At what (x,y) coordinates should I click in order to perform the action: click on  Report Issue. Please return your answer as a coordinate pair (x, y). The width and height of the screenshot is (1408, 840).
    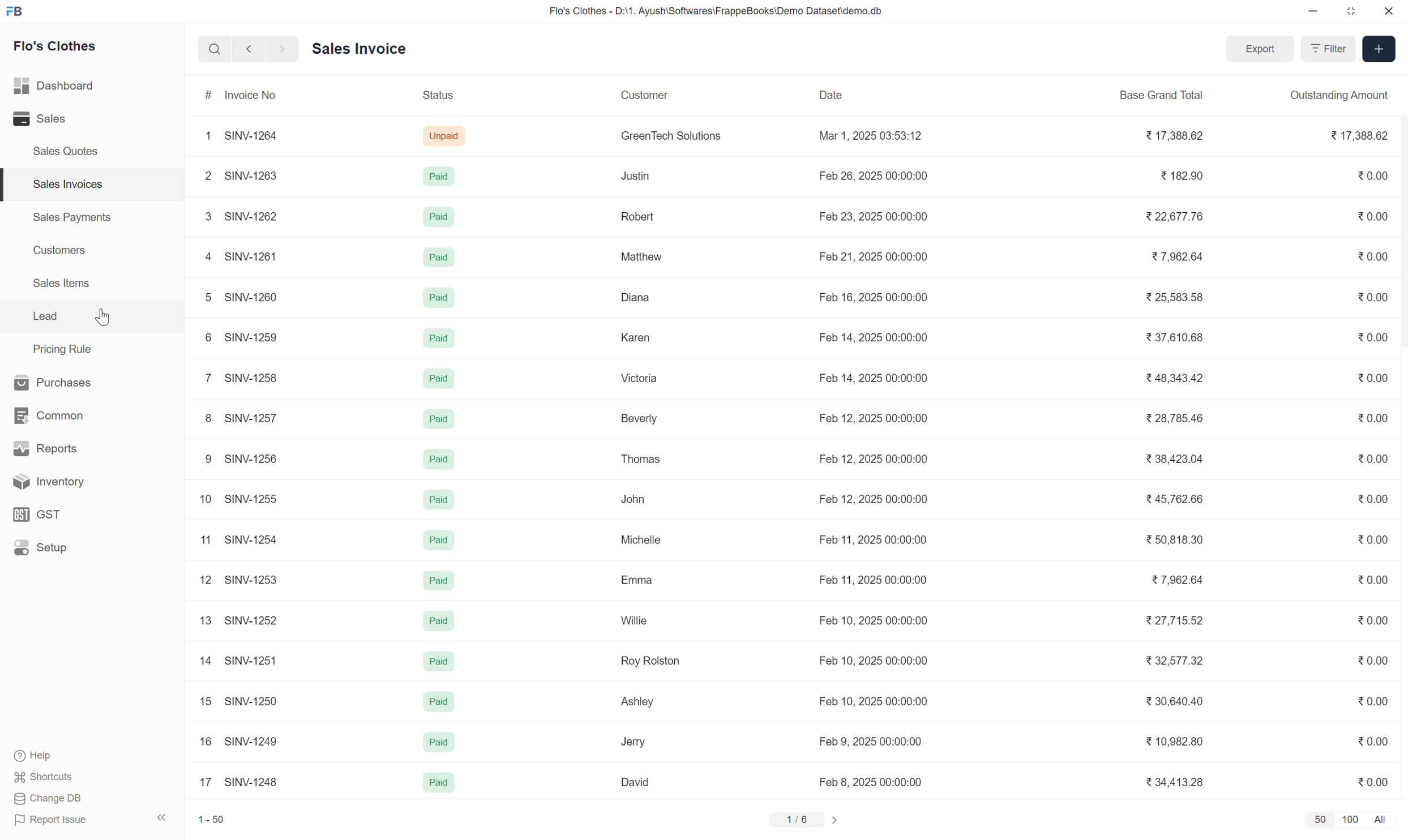
    Looking at the image, I should click on (52, 820).